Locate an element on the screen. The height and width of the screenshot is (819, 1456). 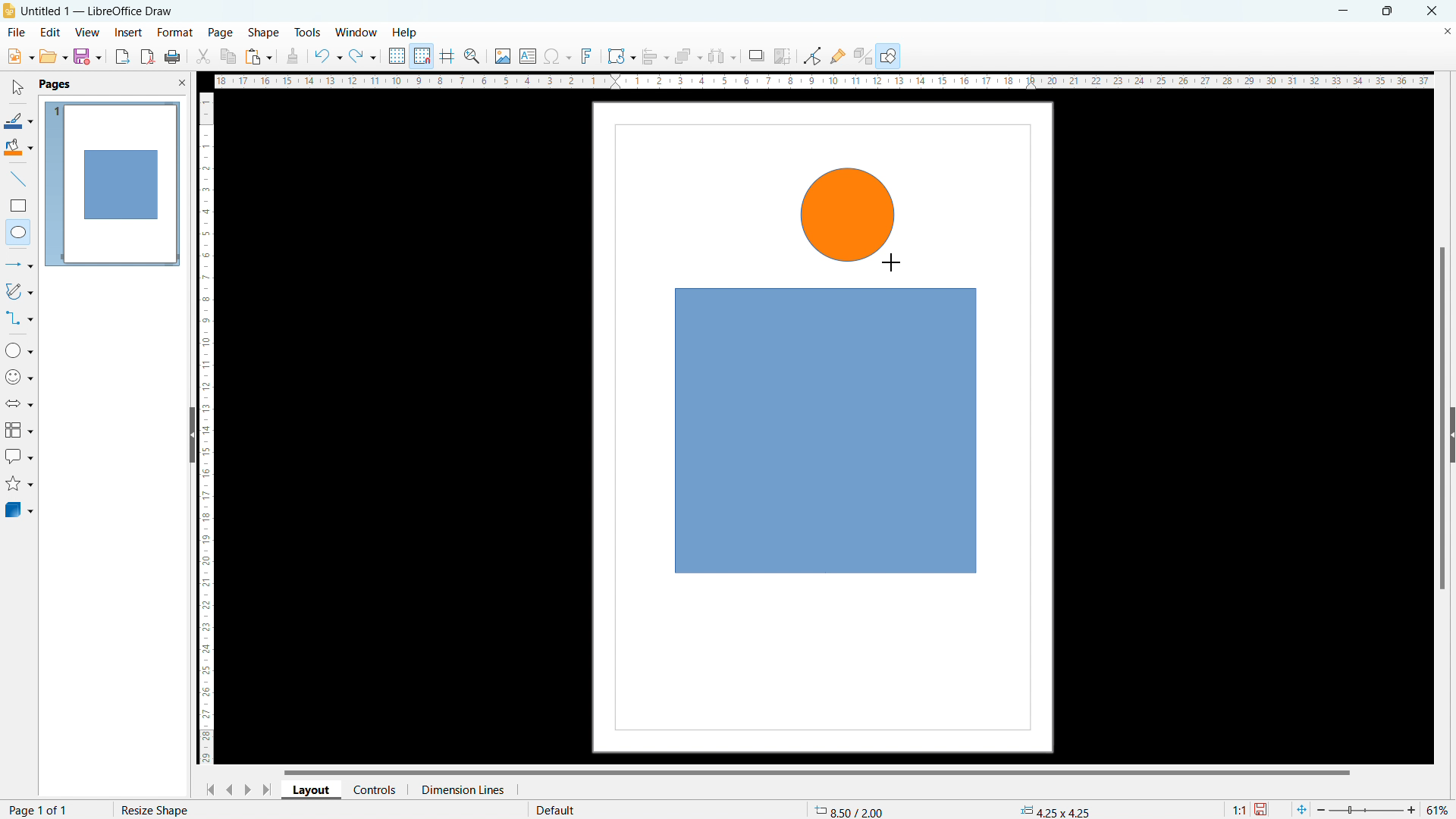
dimension changed is located at coordinates (1054, 810).